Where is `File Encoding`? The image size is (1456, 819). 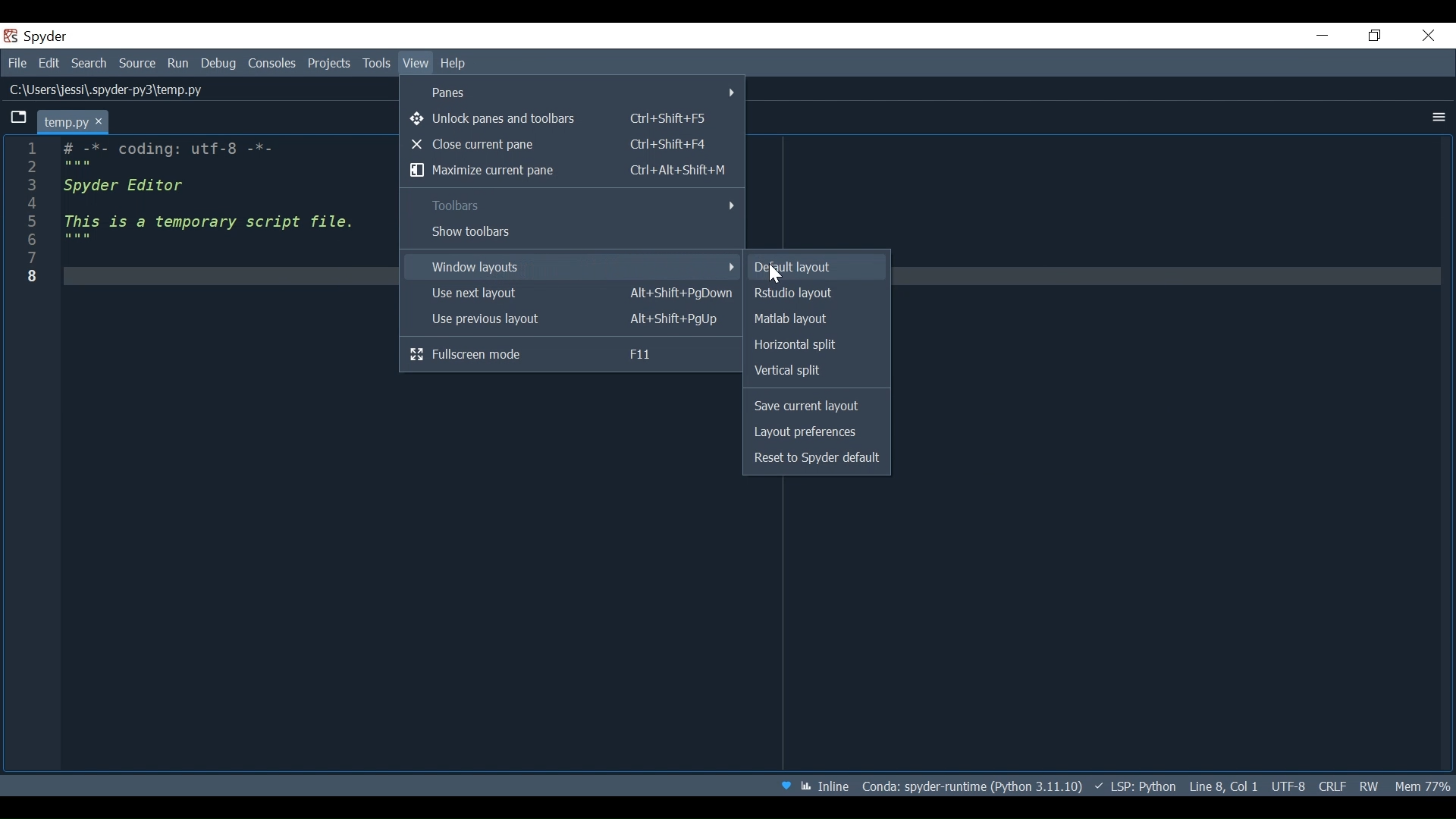 File Encoding is located at coordinates (1288, 786).